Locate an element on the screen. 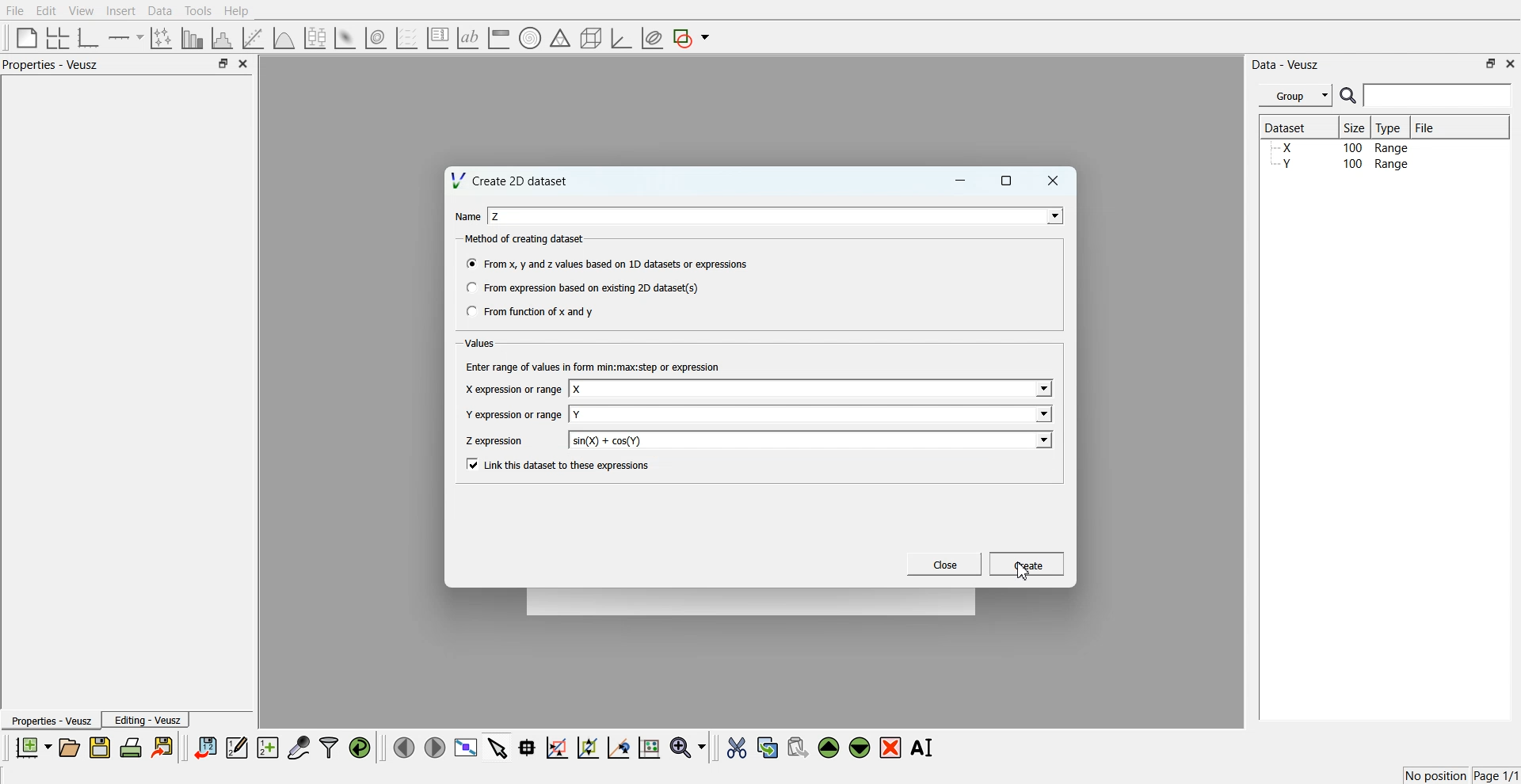  X 100 Range is located at coordinates (1341, 147).